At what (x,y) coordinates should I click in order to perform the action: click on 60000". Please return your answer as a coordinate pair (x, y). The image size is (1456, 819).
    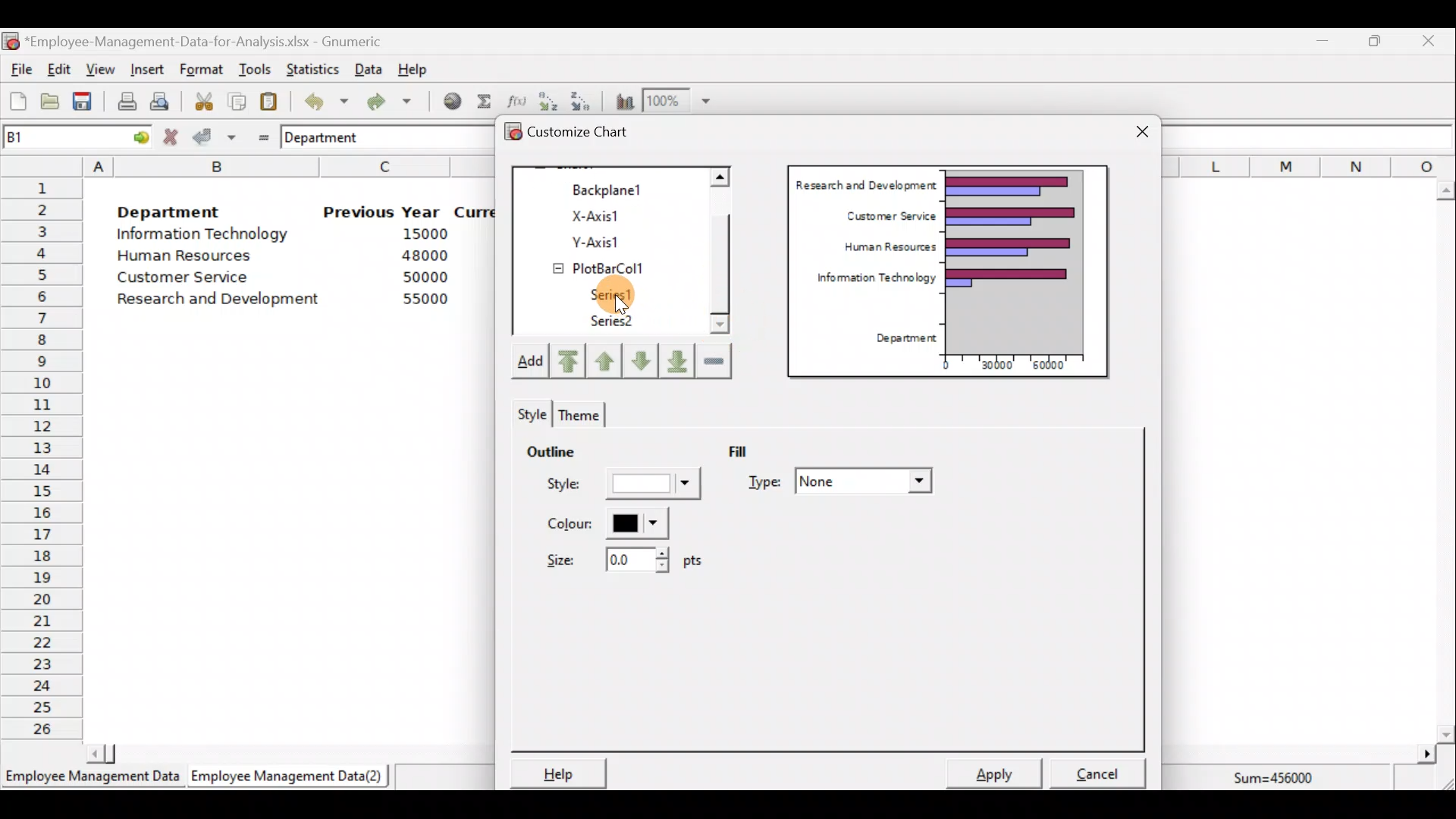
    Looking at the image, I should click on (1057, 367).